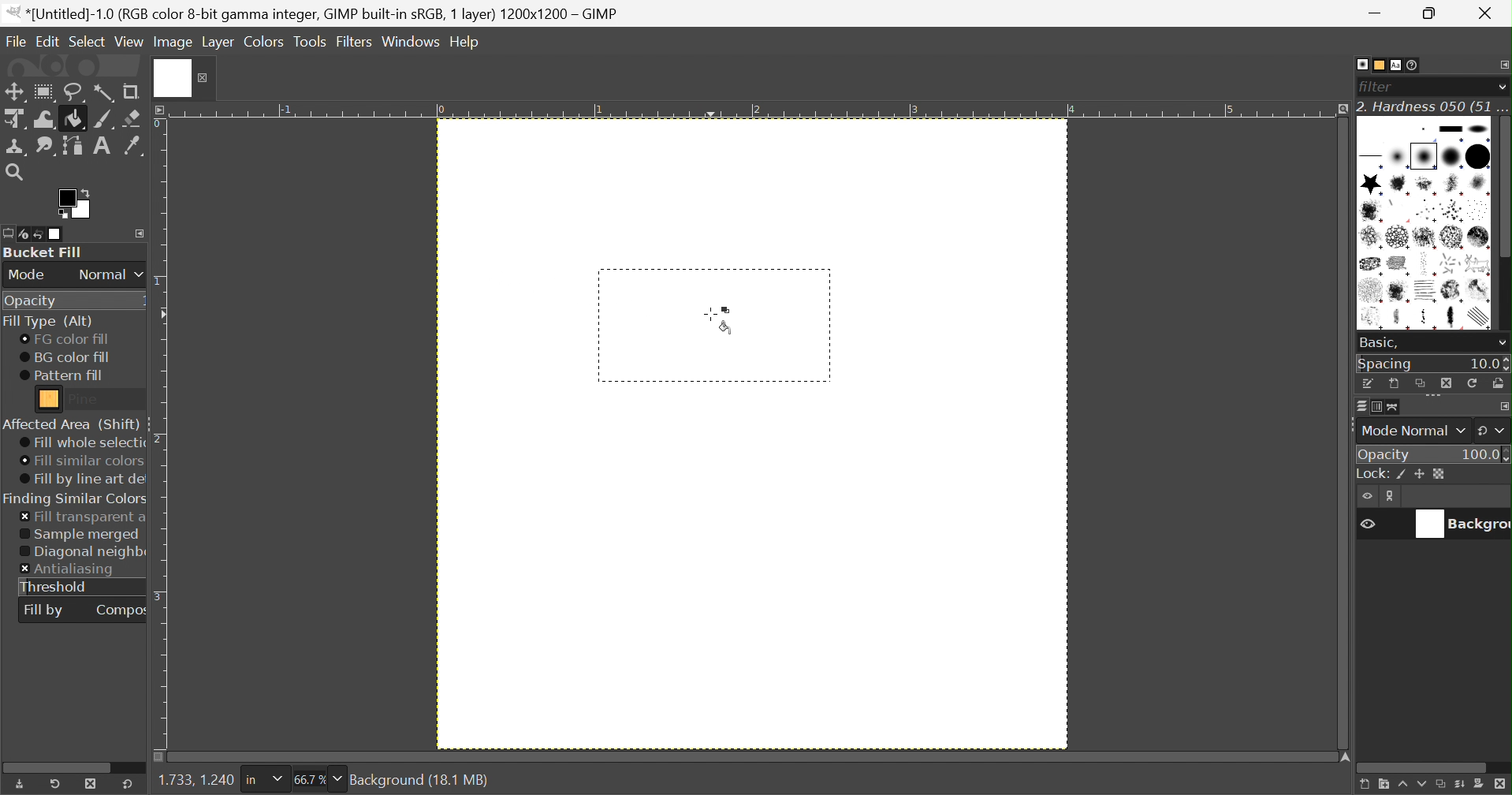  What do you see at coordinates (1404, 476) in the screenshot?
I see `Lock pixels` at bounding box center [1404, 476].